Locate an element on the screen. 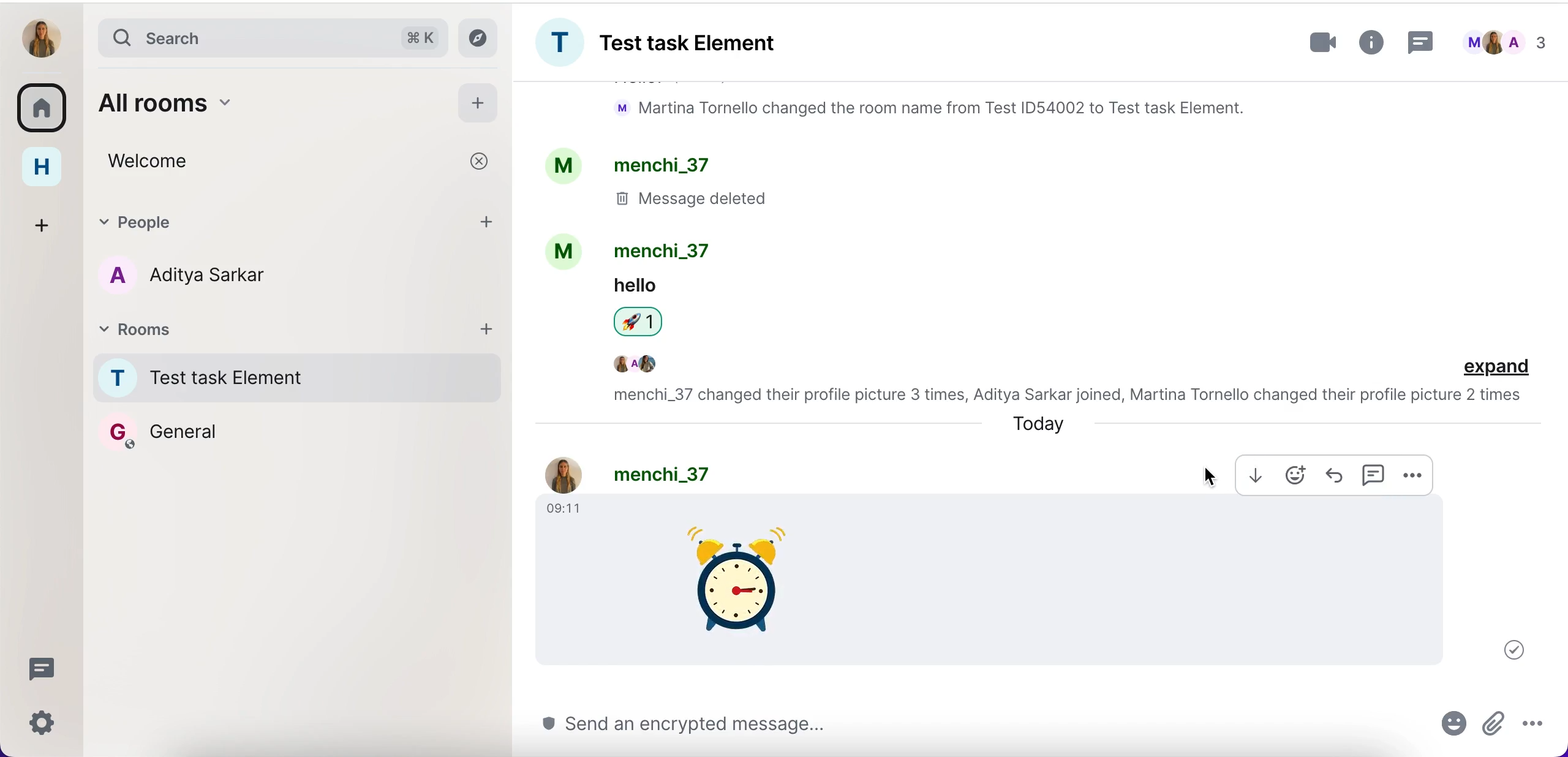 The image size is (1568, 757). search bar is located at coordinates (268, 36).